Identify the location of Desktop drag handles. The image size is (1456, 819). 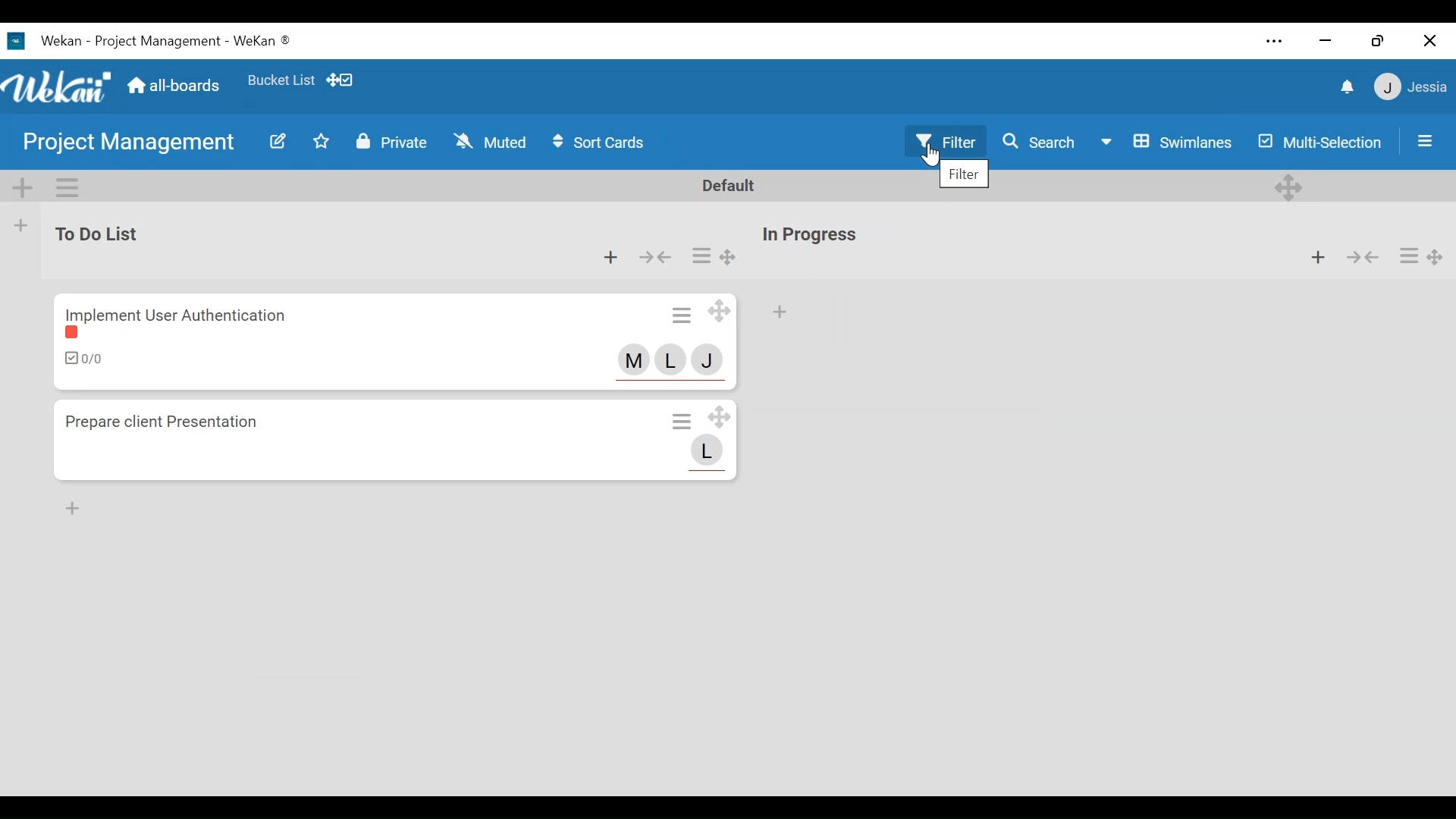
(723, 417).